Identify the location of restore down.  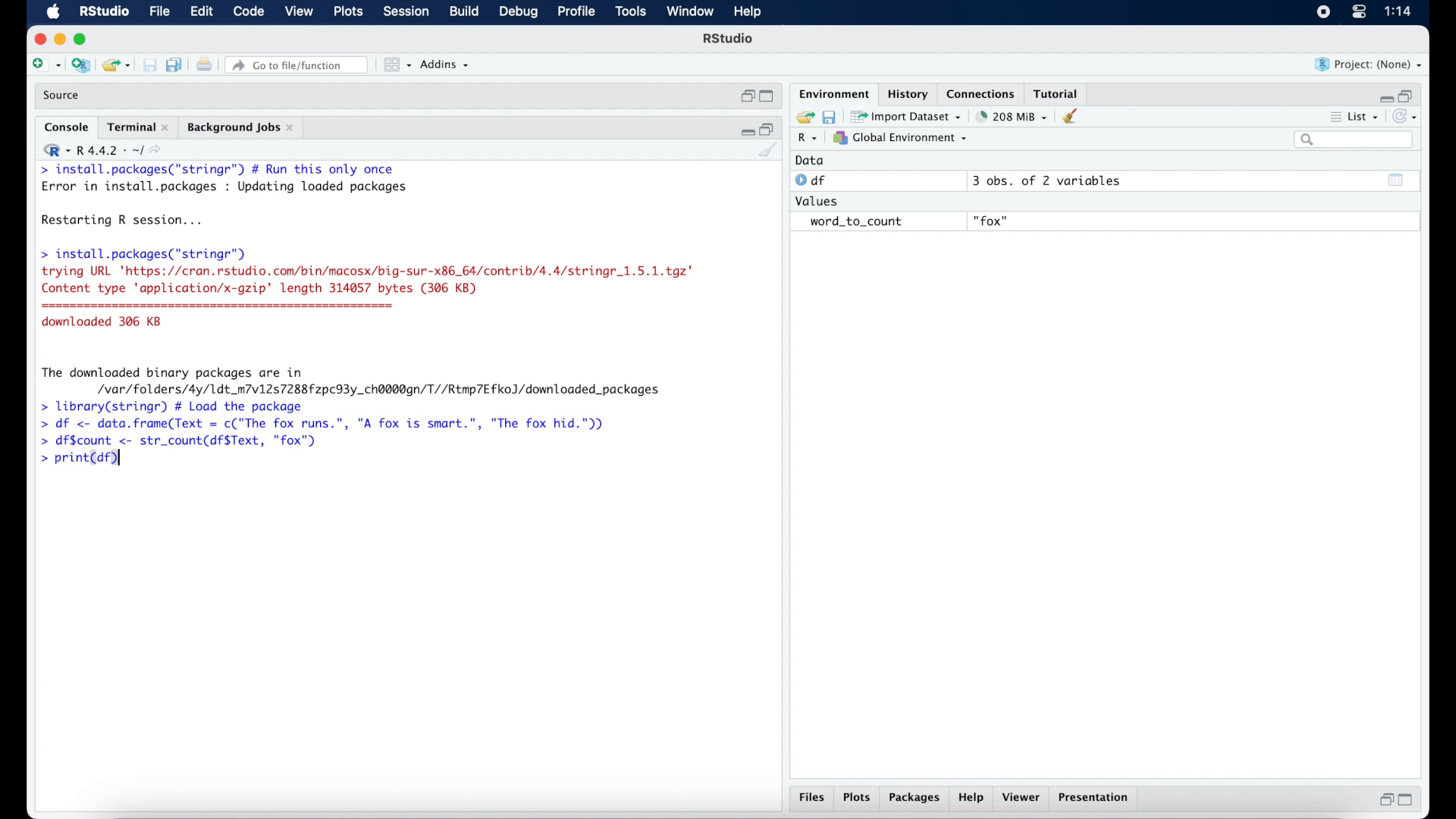
(746, 96).